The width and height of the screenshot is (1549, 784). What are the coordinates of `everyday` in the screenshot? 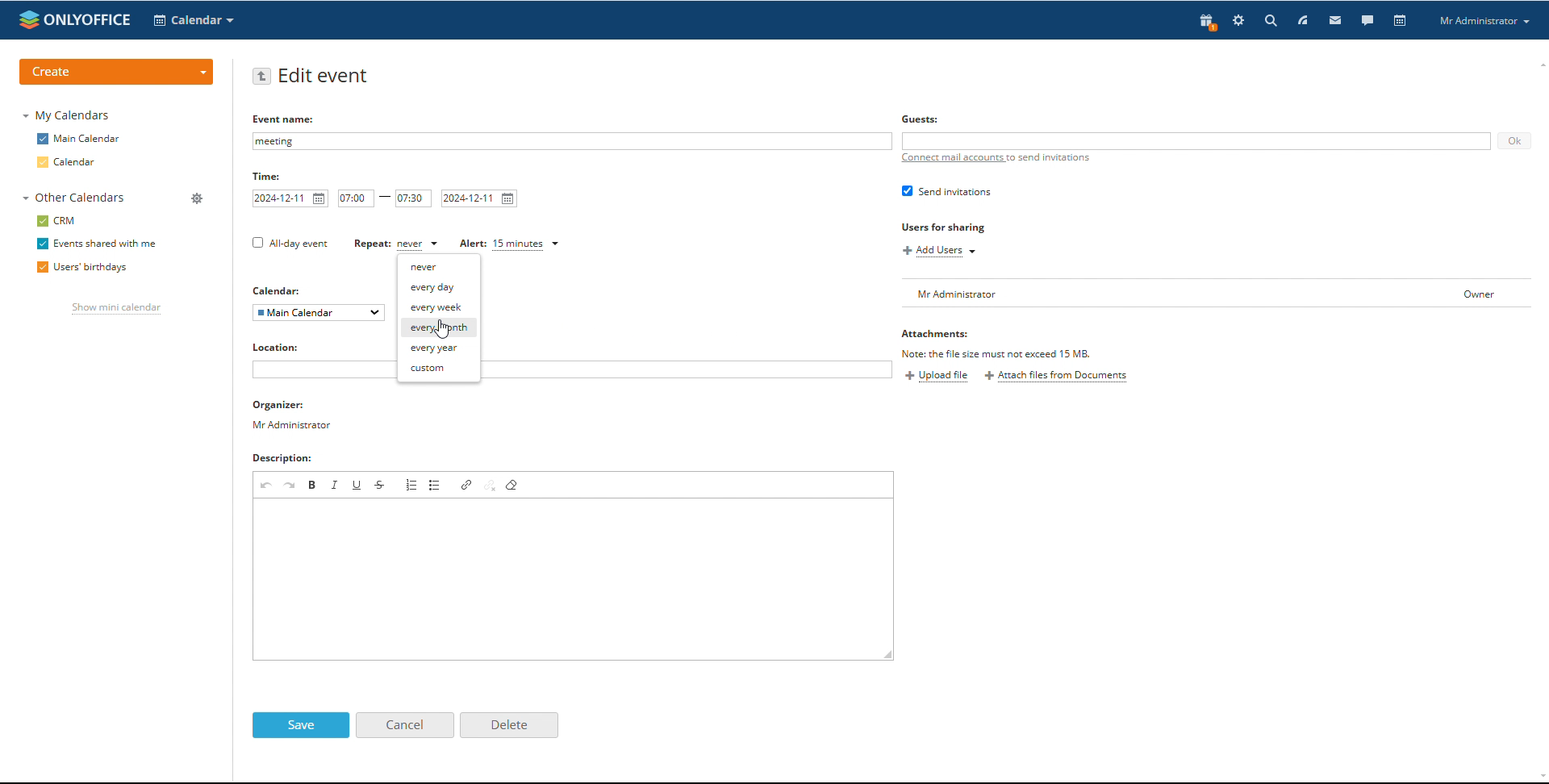 It's located at (440, 286).